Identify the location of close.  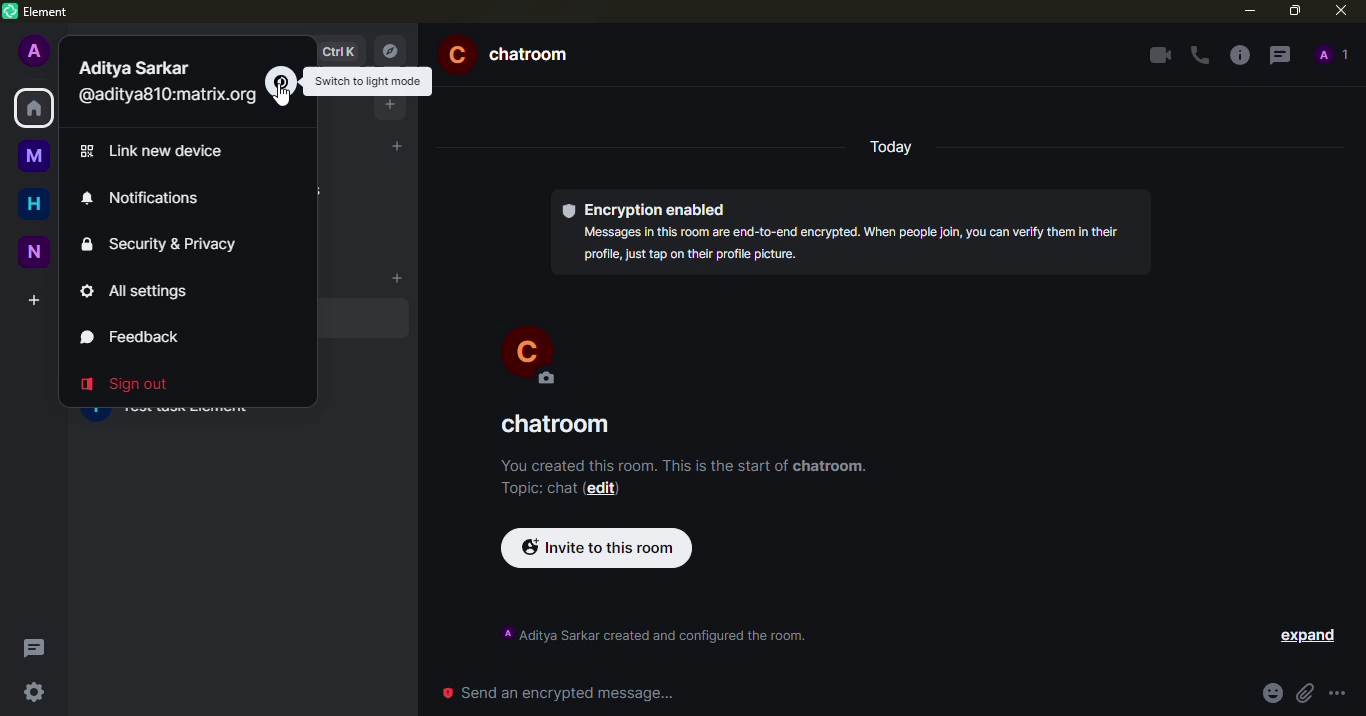
(1339, 11).